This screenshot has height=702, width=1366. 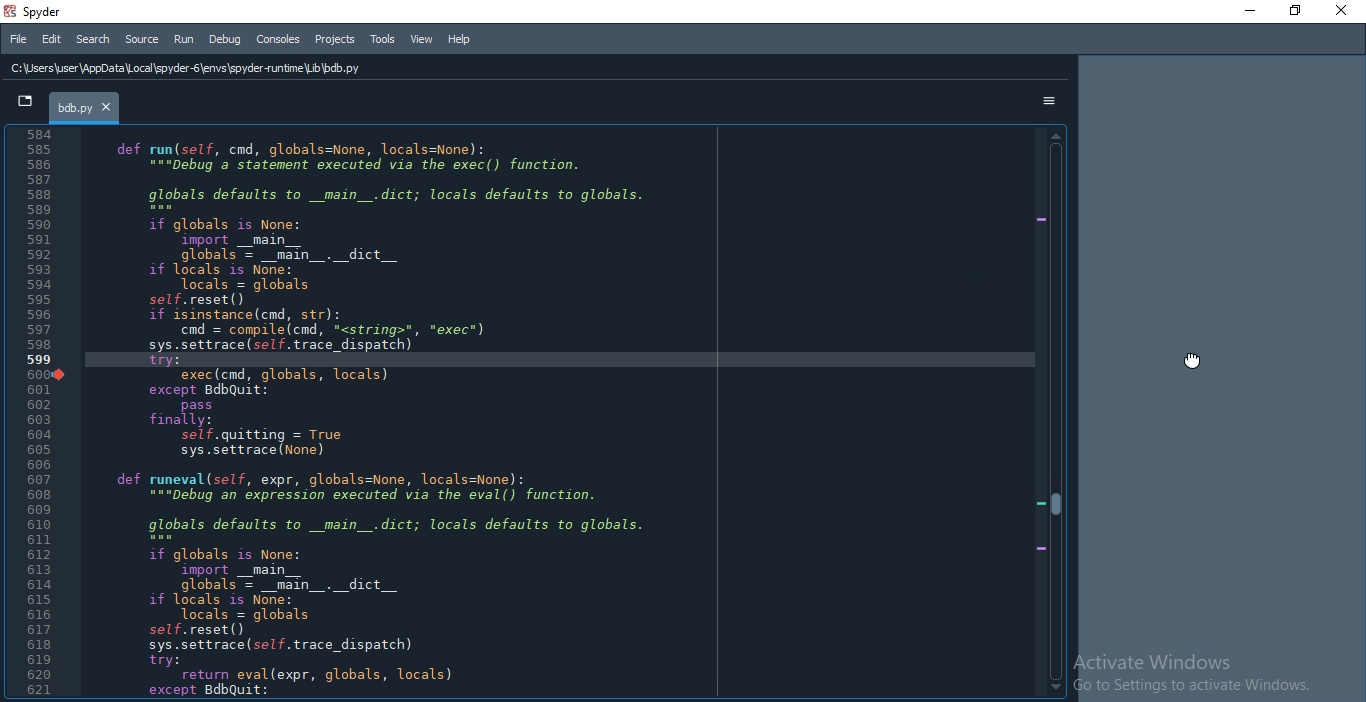 What do you see at coordinates (184, 40) in the screenshot?
I see `Run` at bounding box center [184, 40].